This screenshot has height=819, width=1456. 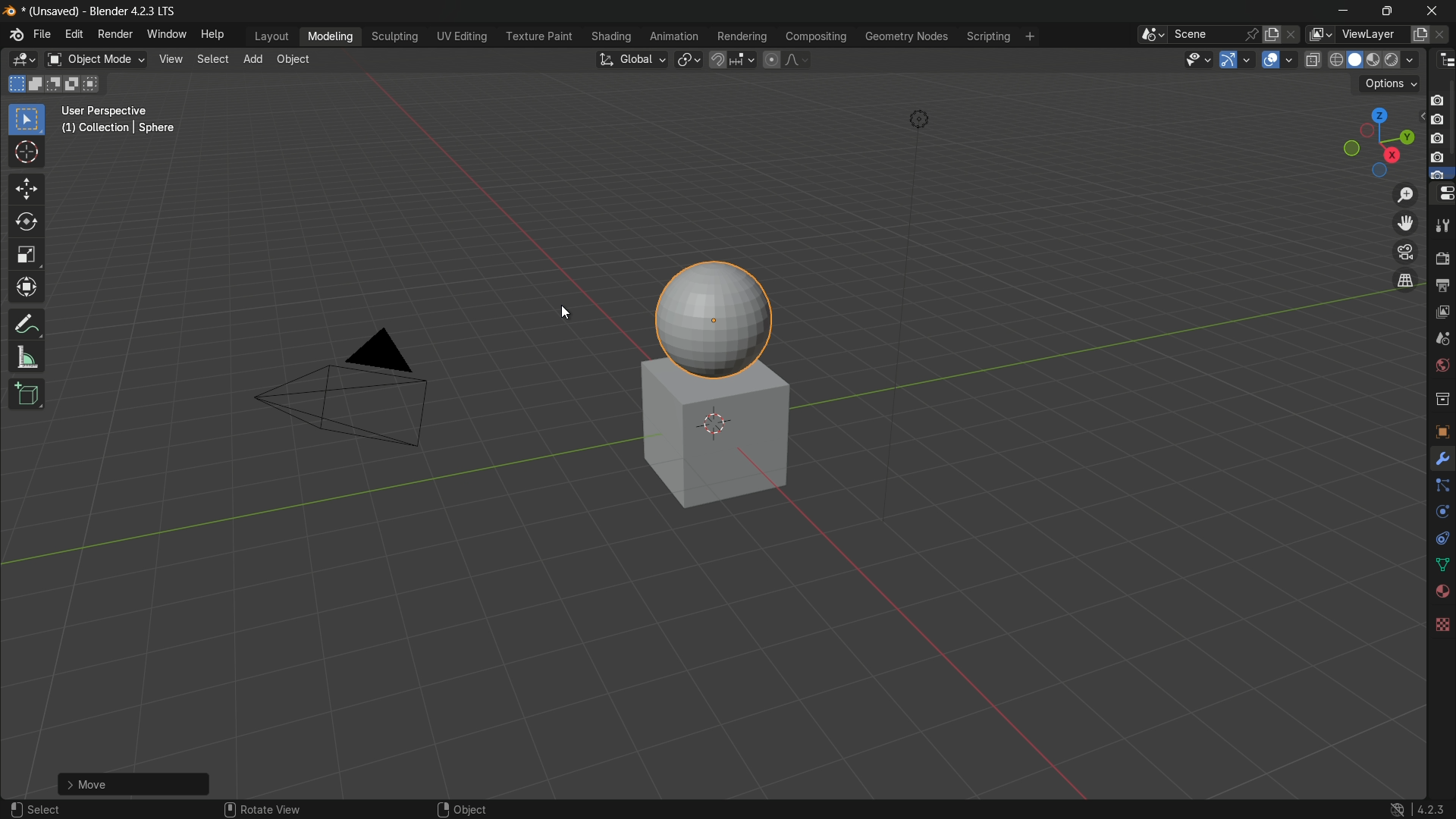 What do you see at coordinates (163, 34) in the screenshot?
I see `window menu` at bounding box center [163, 34].